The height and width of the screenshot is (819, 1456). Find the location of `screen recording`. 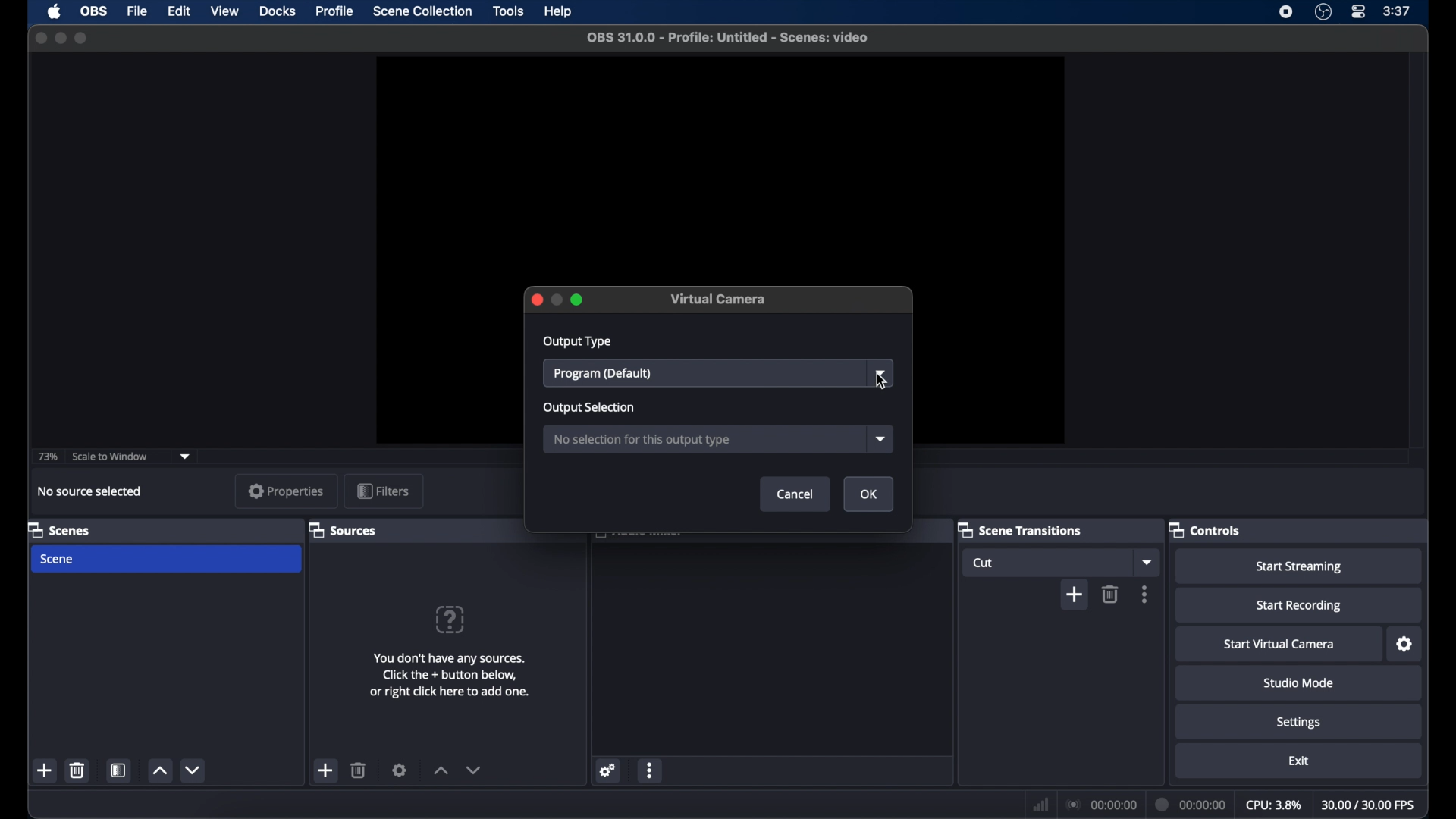

screen recording is located at coordinates (1286, 12).